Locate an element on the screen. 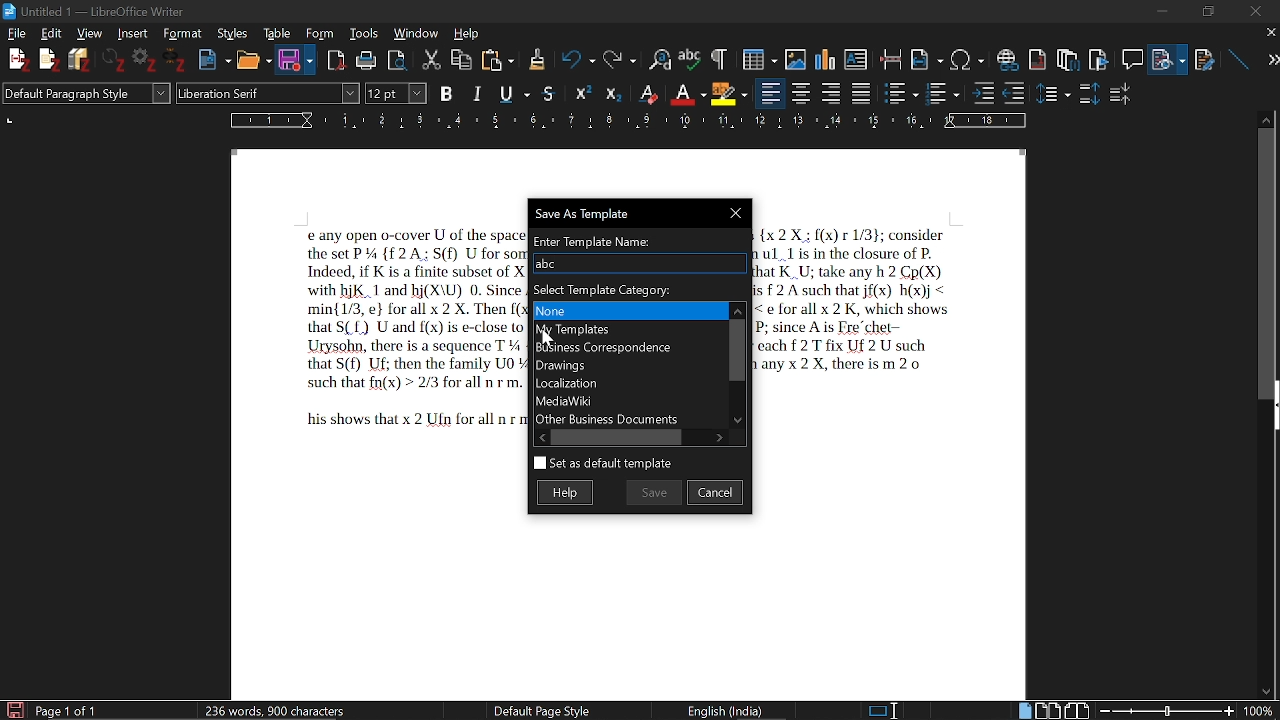 The image size is (1280, 720).  is located at coordinates (717, 58).